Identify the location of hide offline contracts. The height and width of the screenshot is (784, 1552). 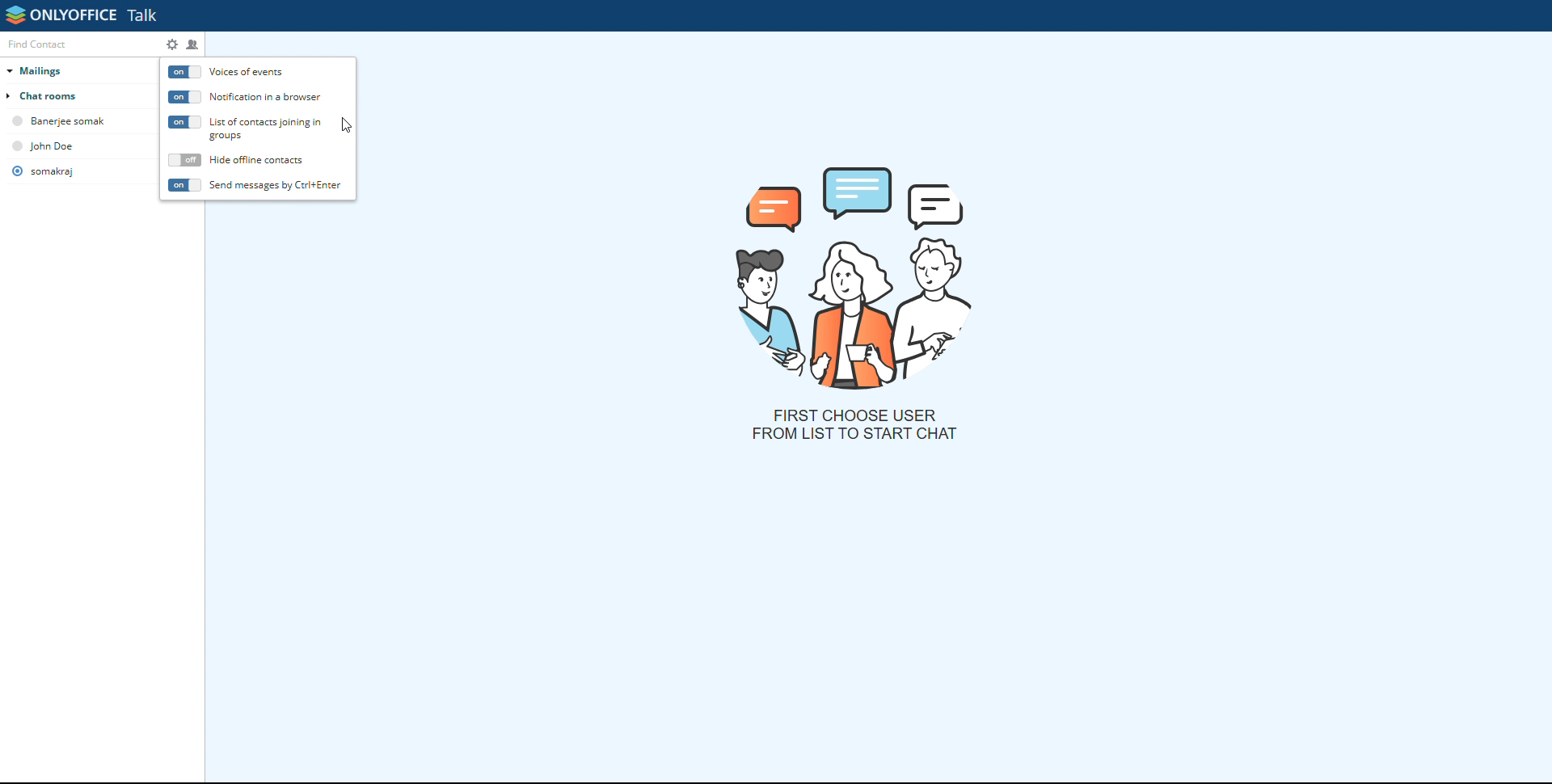
(184, 161).